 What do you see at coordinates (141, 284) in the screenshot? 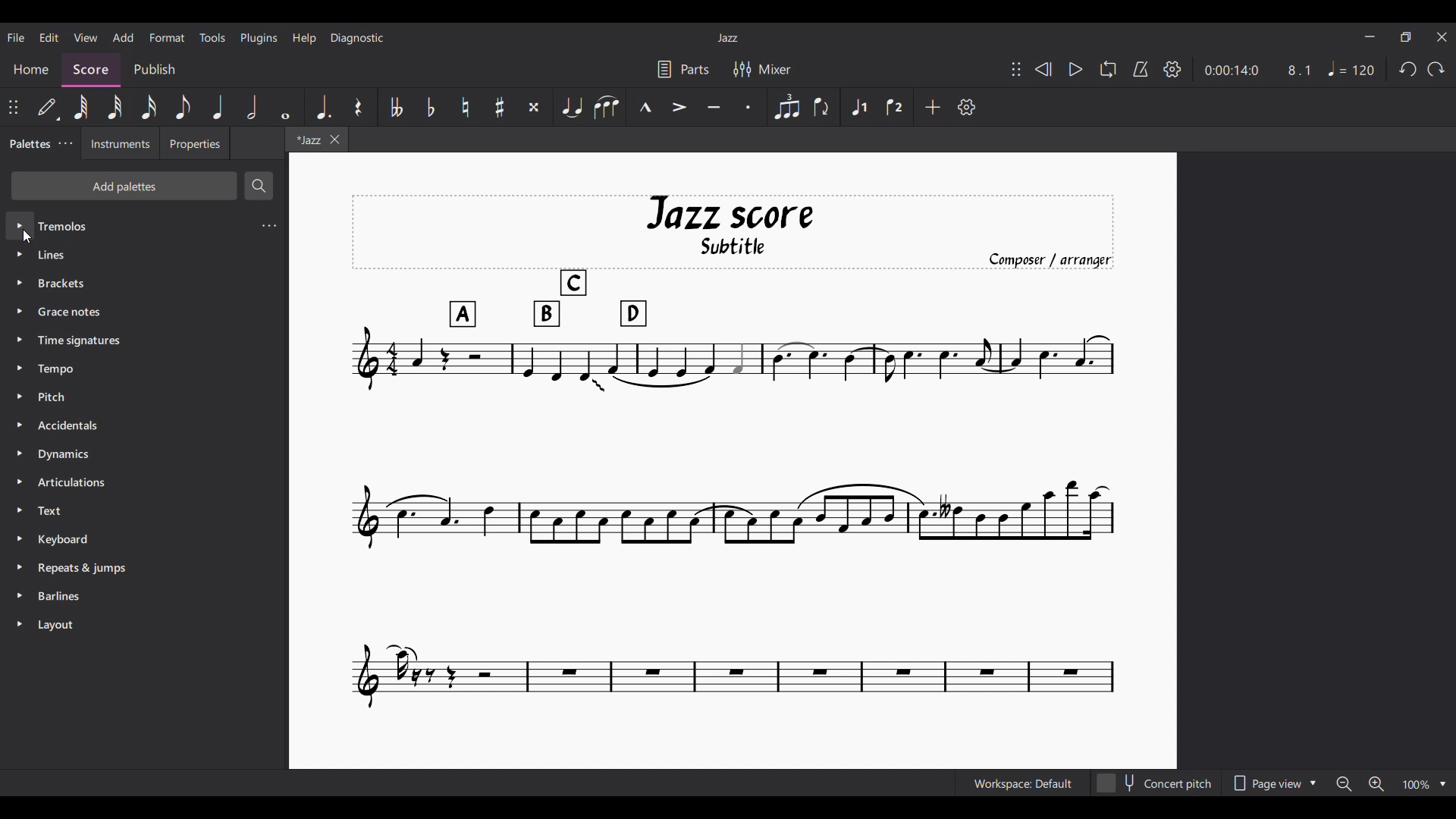
I see `Brackets` at bounding box center [141, 284].